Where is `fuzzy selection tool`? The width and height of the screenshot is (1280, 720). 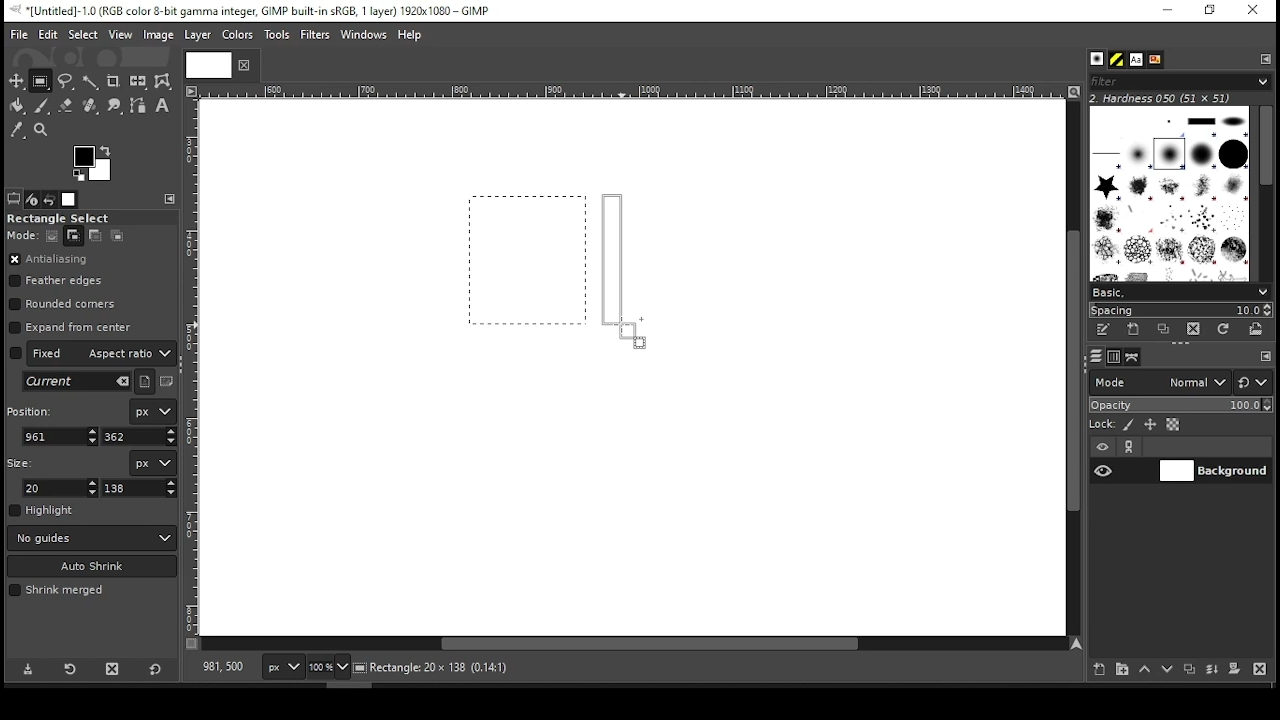 fuzzy selection tool is located at coordinates (91, 82).